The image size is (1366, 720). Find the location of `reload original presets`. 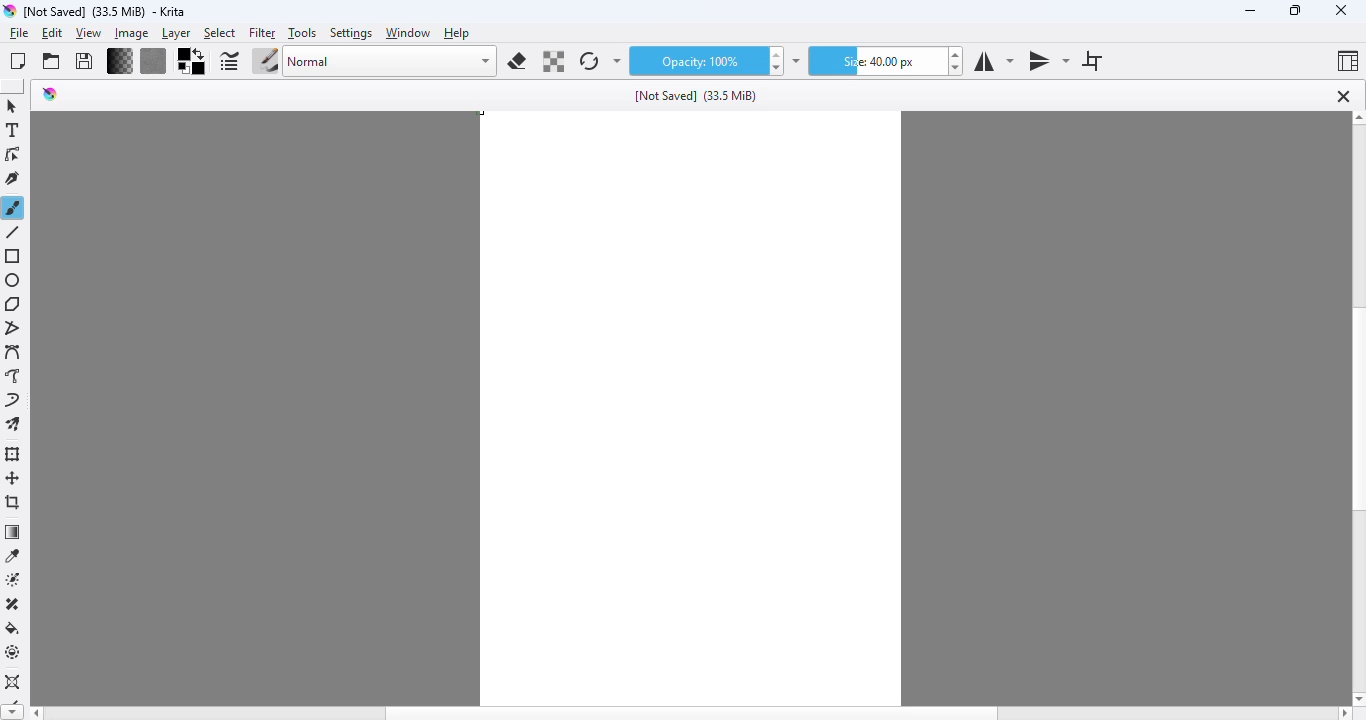

reload original presets is located at coordinates (588, 60).